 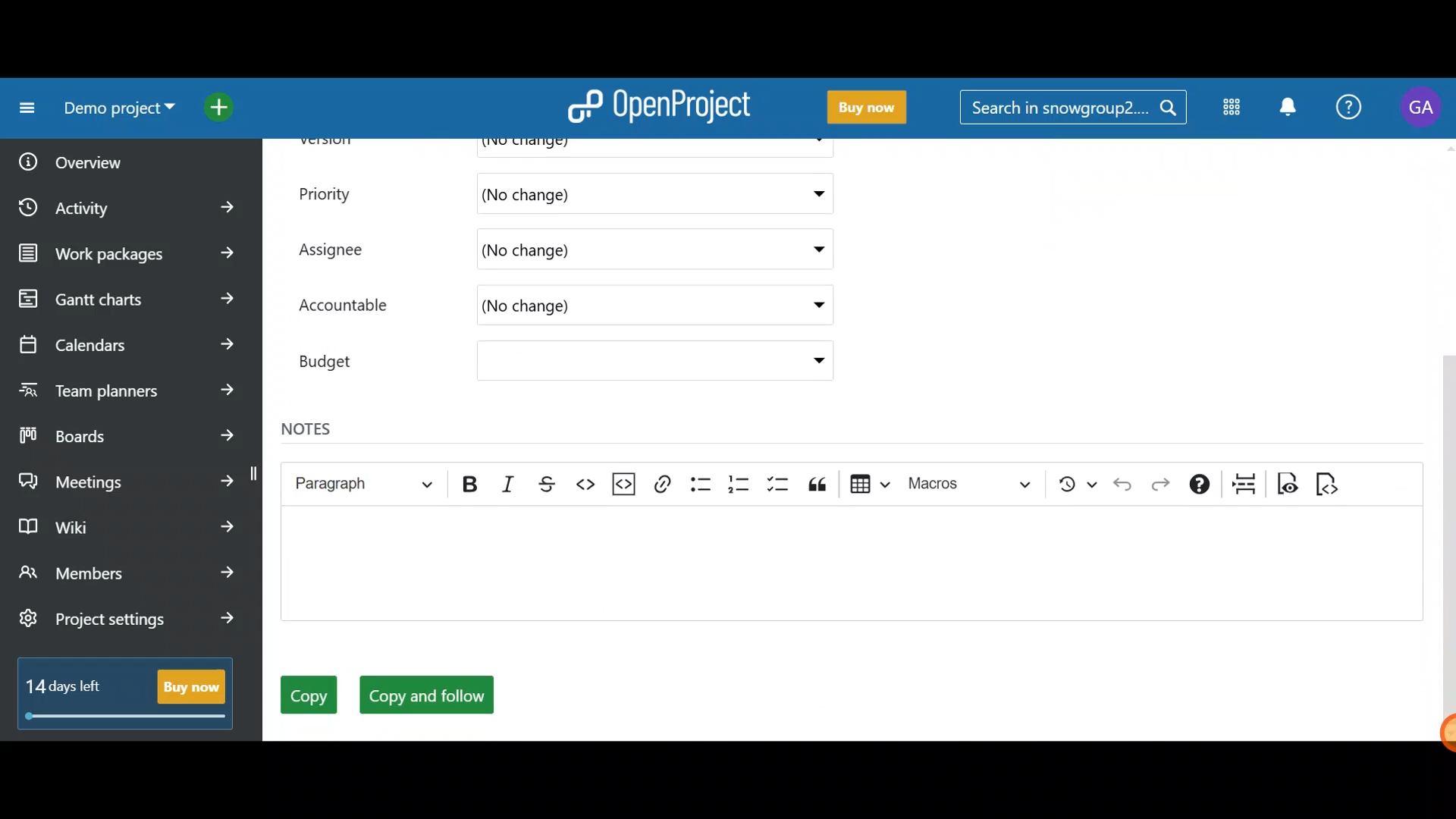 I want to click on Priority dropdown, so click(x=815, y=193).